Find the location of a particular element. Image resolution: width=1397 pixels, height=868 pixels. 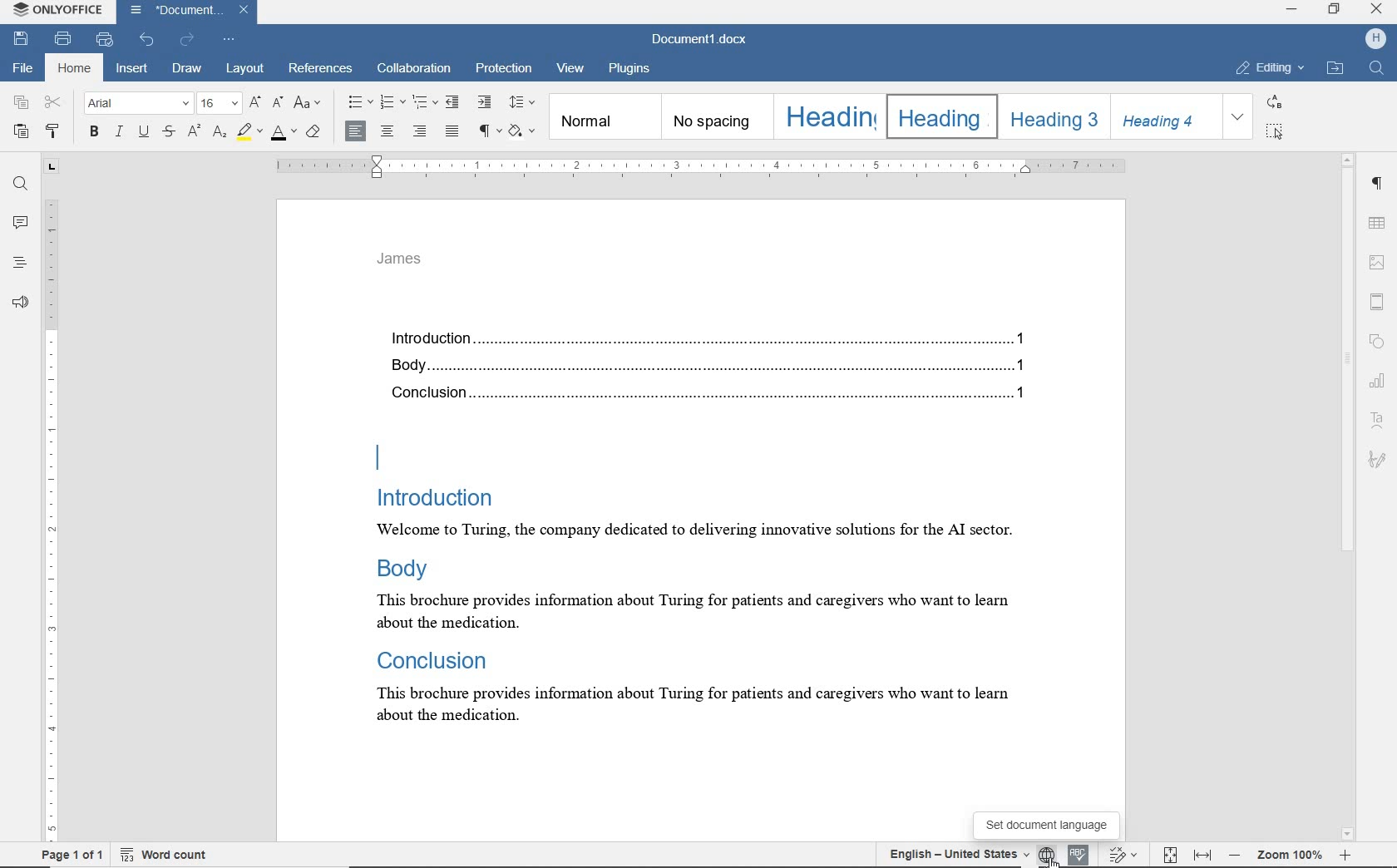

Heading 3 is located at coordinates (1051, 116).